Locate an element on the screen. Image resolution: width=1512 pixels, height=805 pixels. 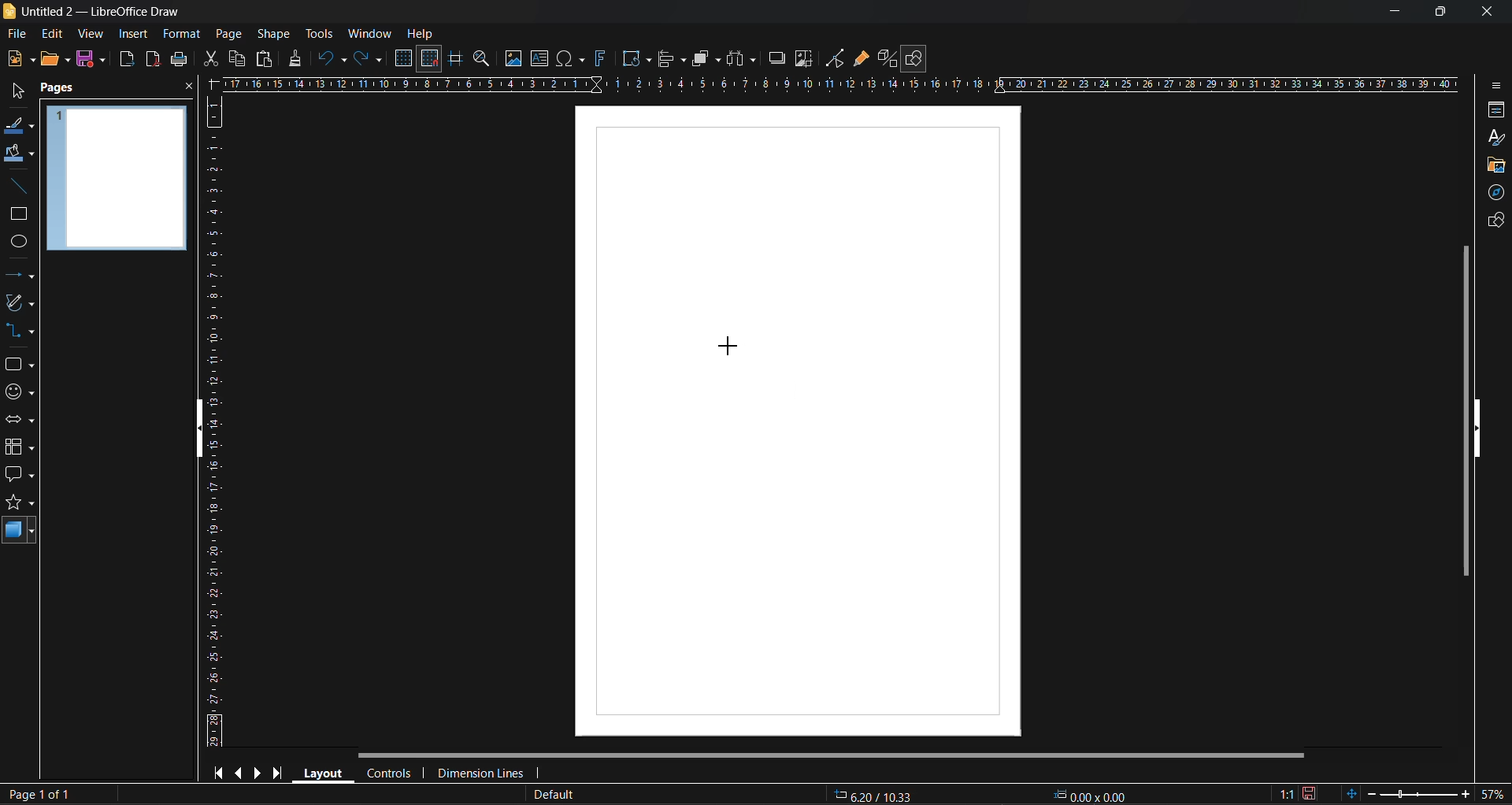
shapes is located at coordinates (18, 365).